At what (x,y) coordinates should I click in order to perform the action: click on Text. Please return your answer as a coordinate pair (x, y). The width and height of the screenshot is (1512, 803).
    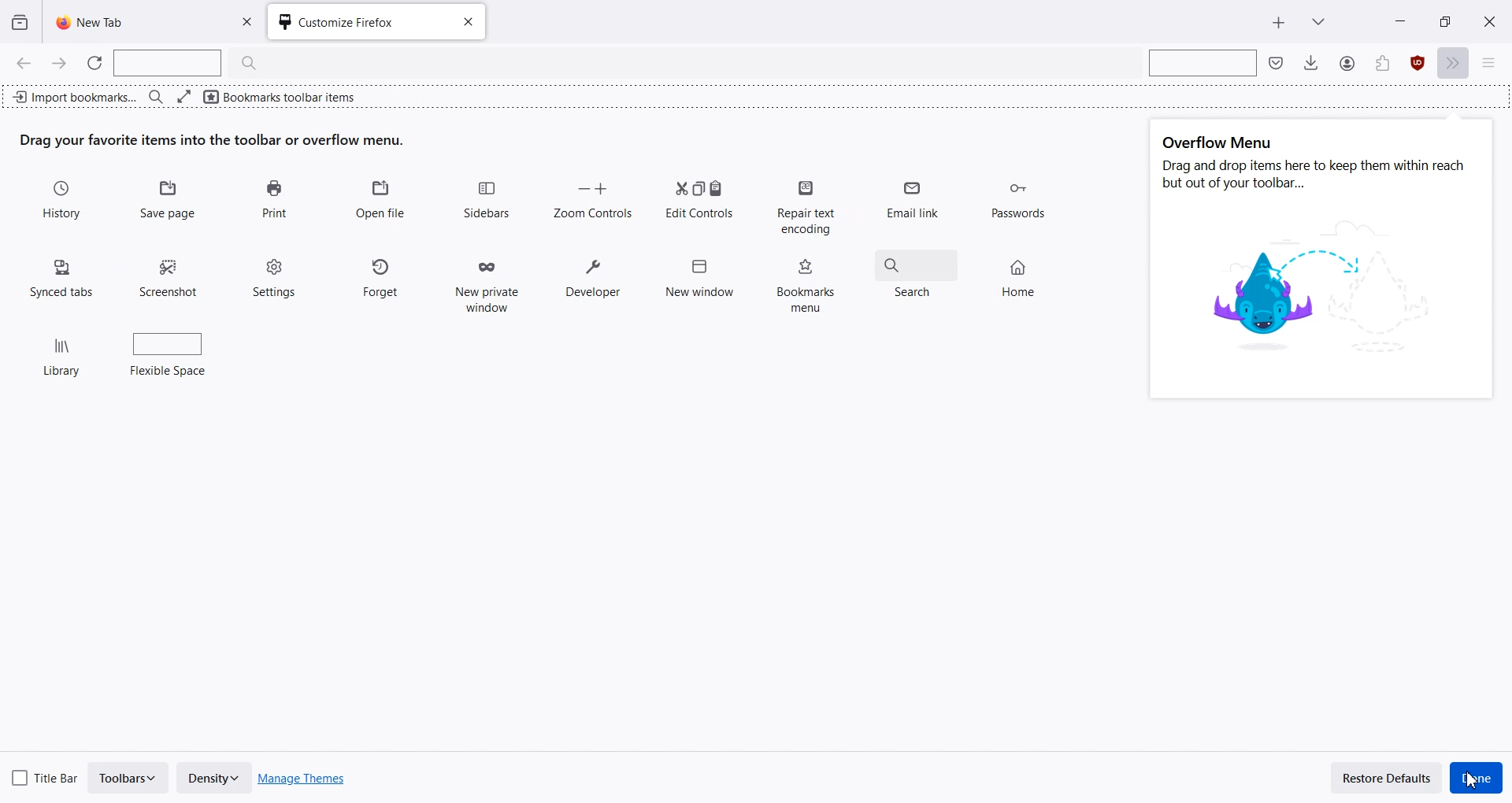
    Looking at the image, I should click on (1316, 164).